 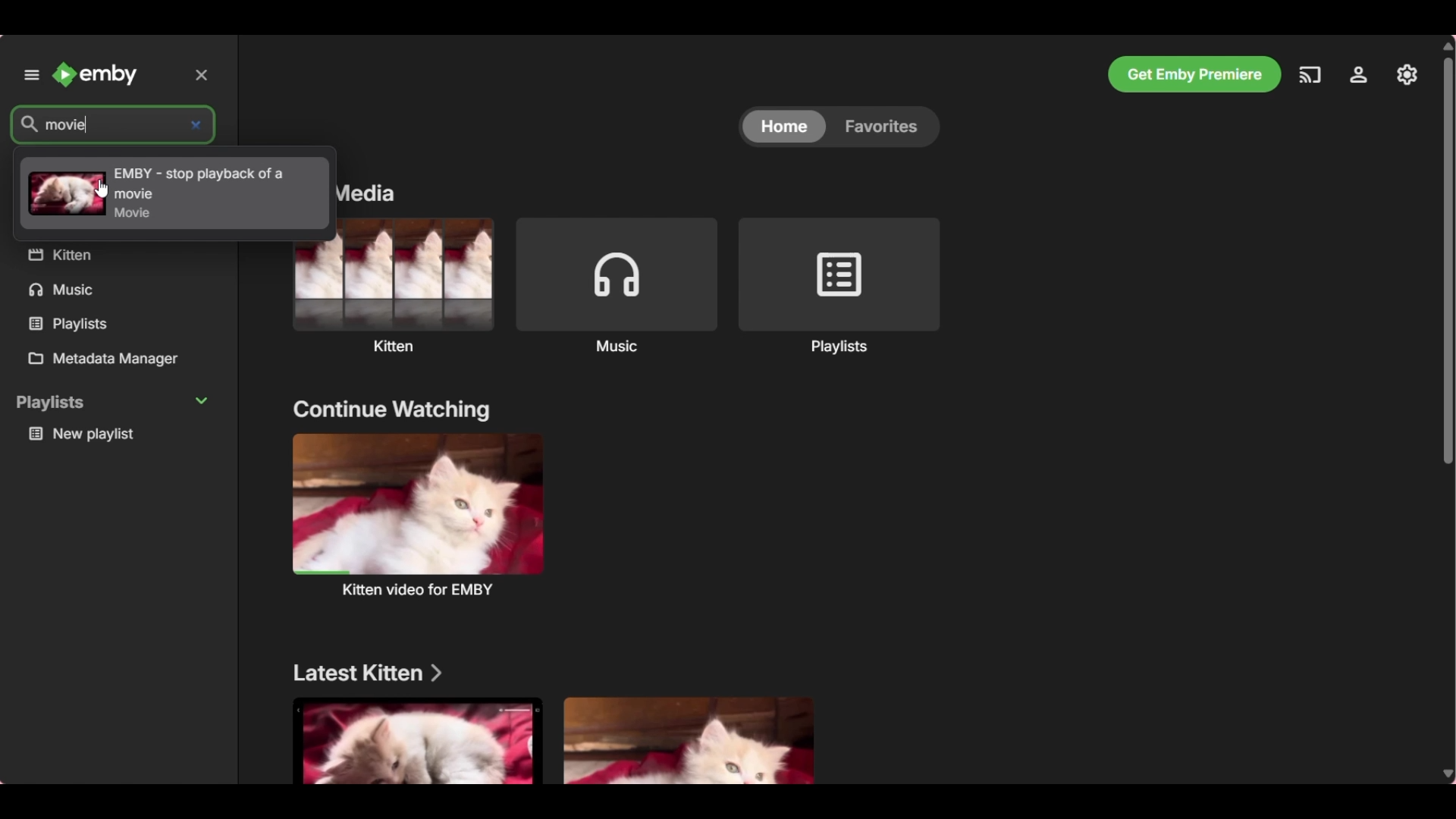 I want to click on New playlist, so click(x=118, y=434).